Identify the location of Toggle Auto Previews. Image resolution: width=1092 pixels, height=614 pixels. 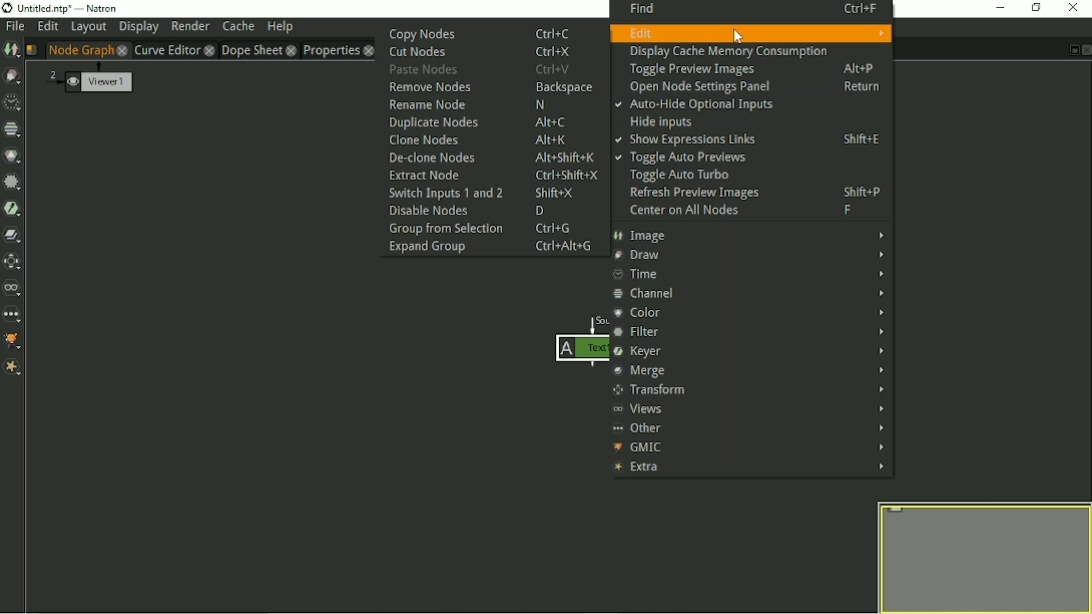
(681, 158).